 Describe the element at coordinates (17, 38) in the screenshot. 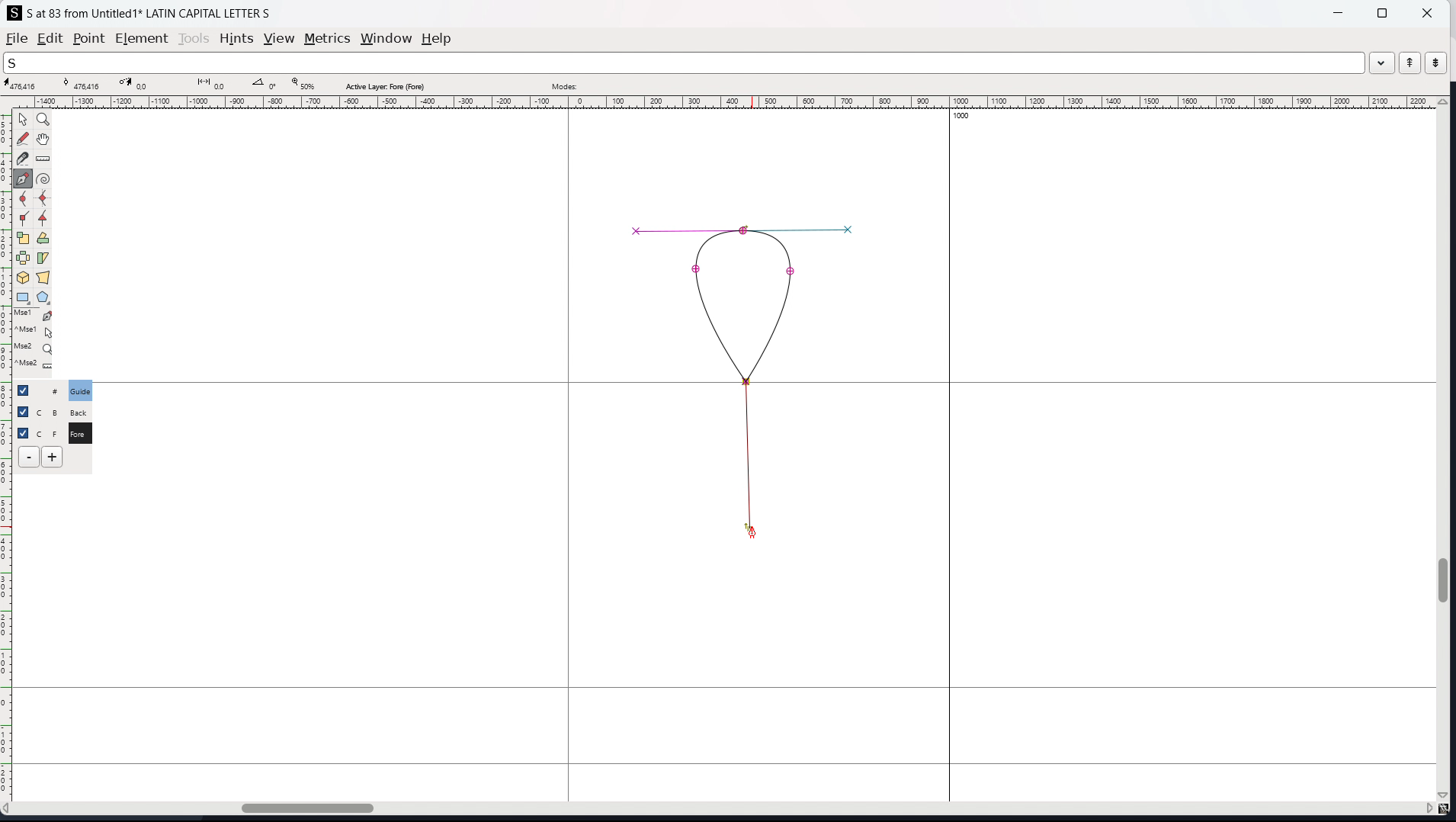

I see `file` at that location.